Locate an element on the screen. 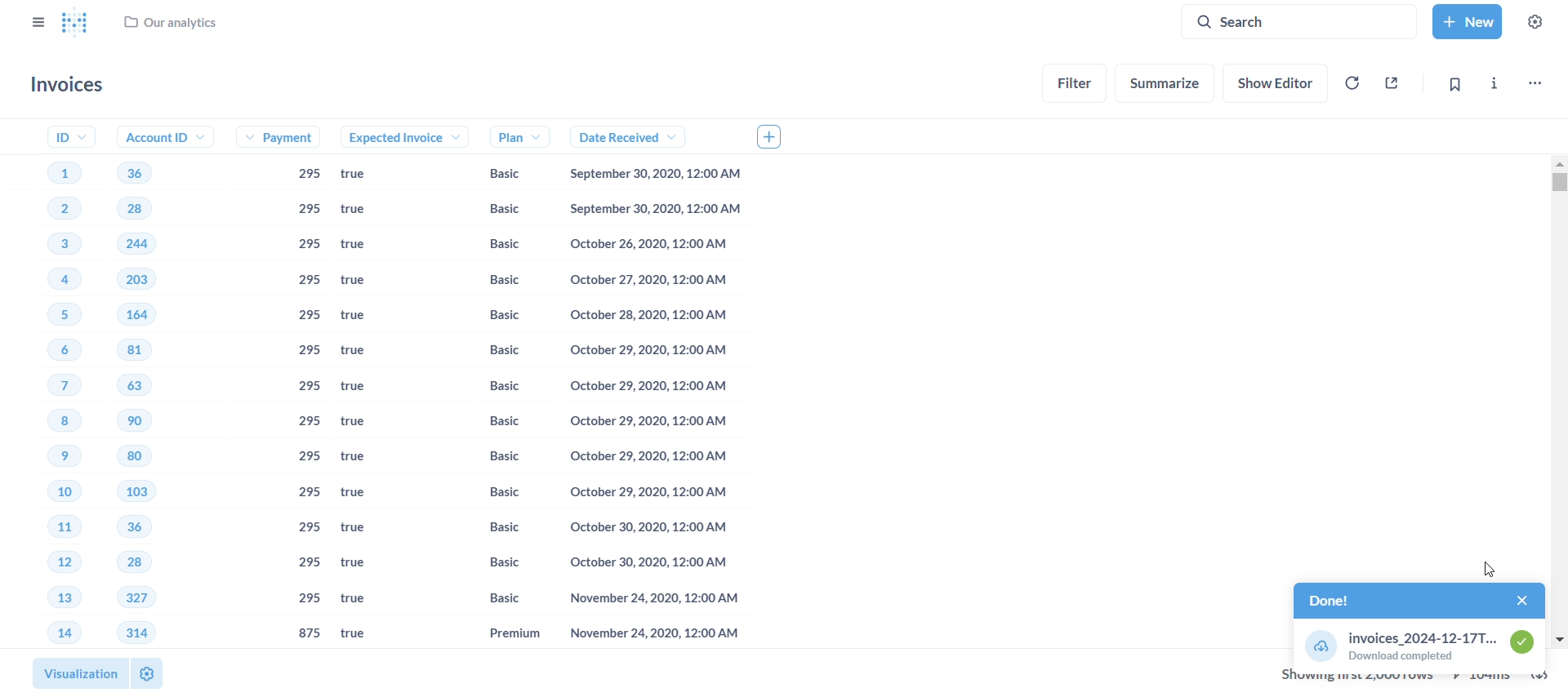 The width and height of the screenshot is (1568, 697). more info is located at coordinates (1493, 81).